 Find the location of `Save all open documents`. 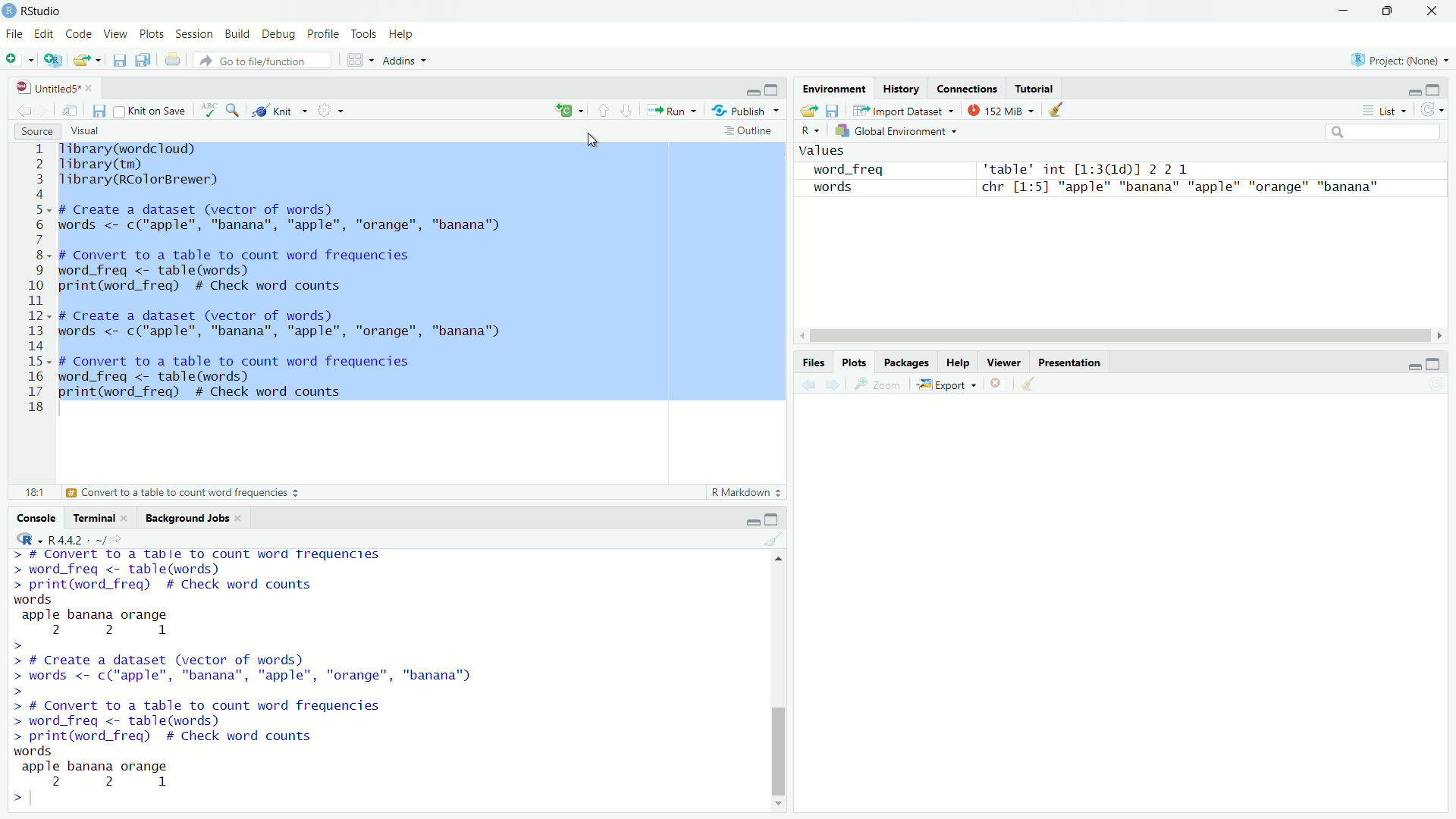

Save all open documents is located at coordinates (144, 61).